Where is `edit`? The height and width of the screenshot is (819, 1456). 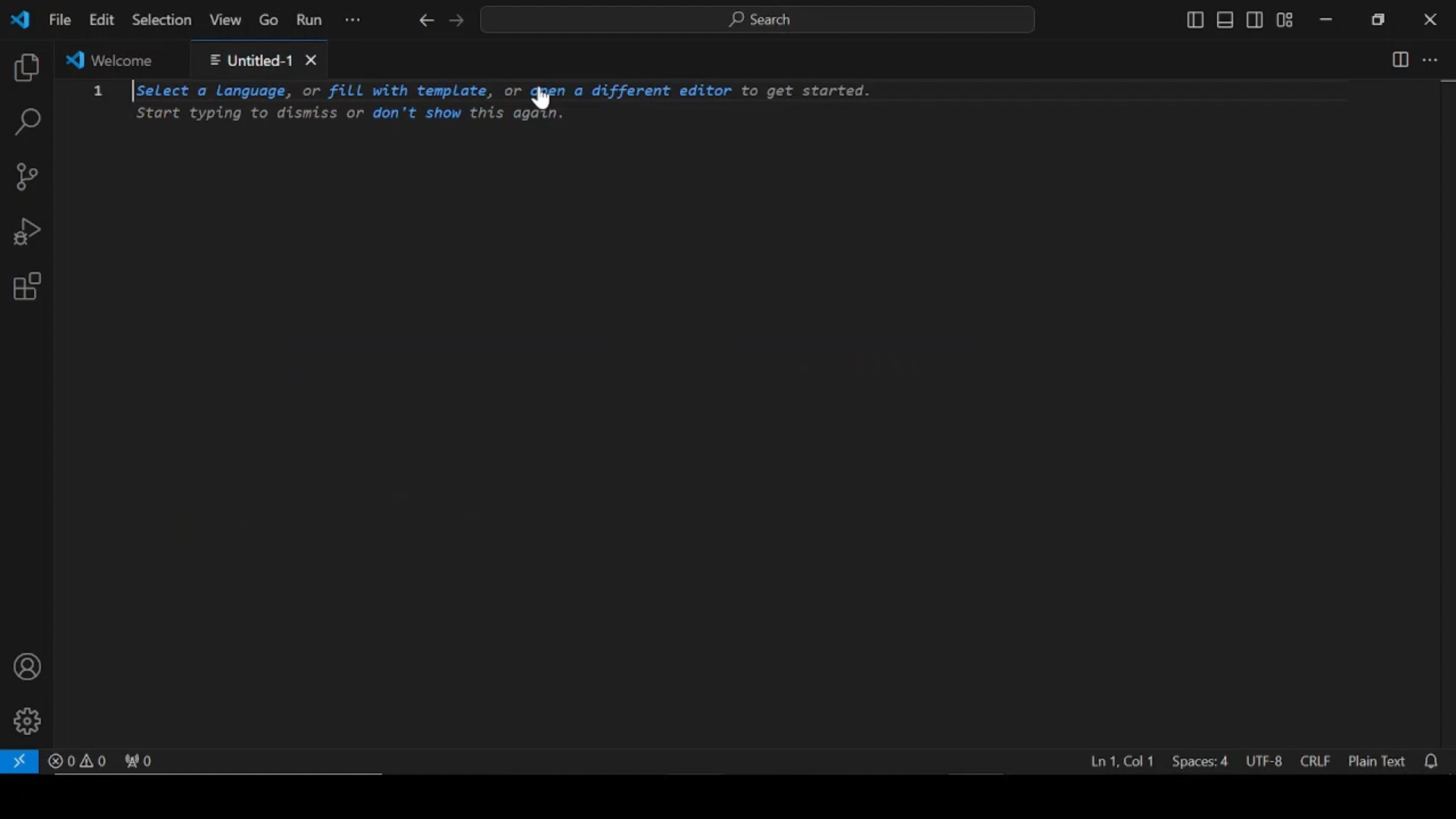 edit is located at coordinates (100, 20).